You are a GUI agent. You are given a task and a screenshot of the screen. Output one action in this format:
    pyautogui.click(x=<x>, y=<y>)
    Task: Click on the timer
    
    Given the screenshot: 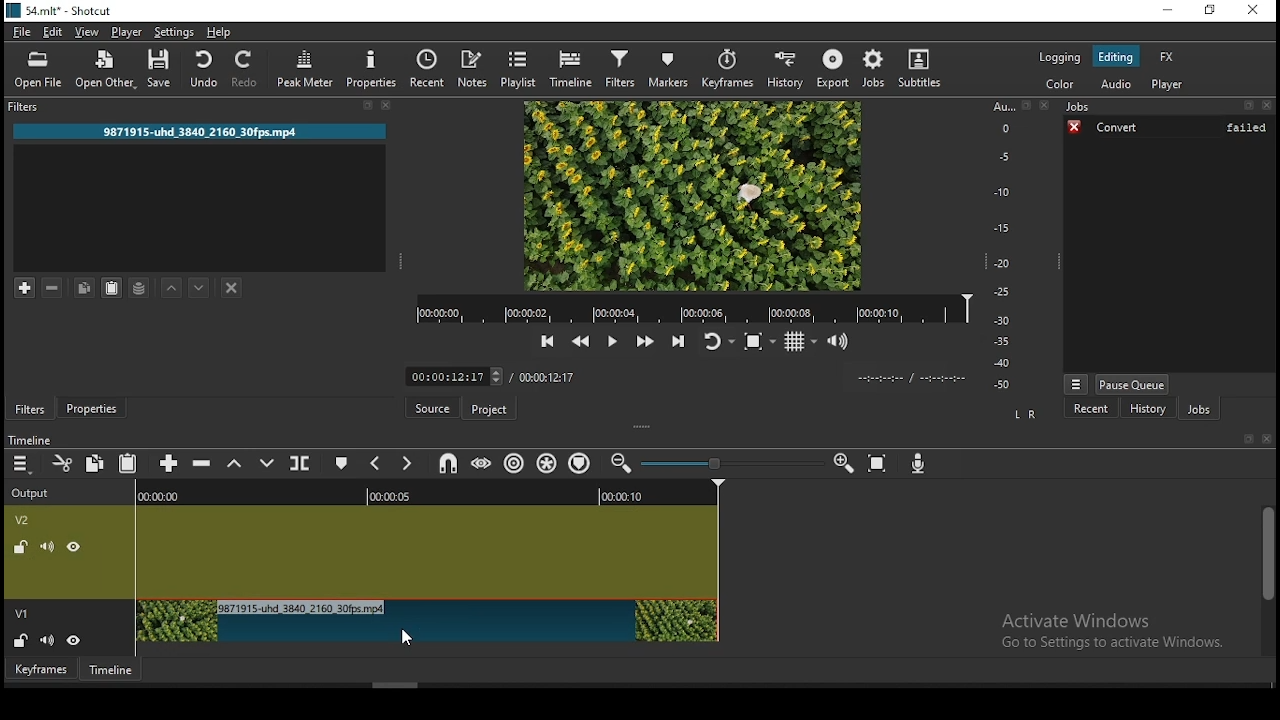 What is the action you would take?
    pyautogui.click(x=911, y=378)
    